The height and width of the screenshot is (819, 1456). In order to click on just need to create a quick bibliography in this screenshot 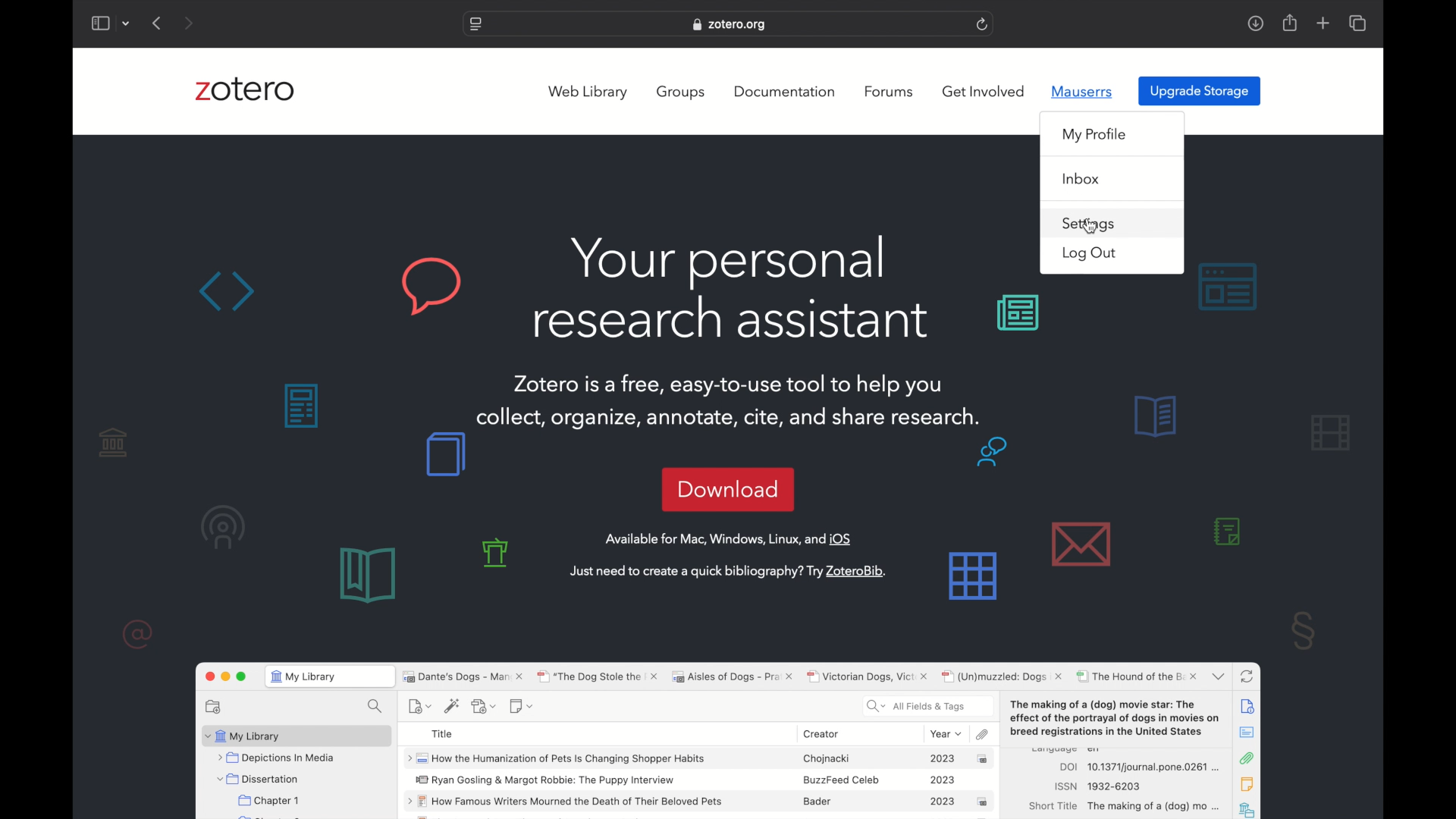, I will do `click(730, 570)`.